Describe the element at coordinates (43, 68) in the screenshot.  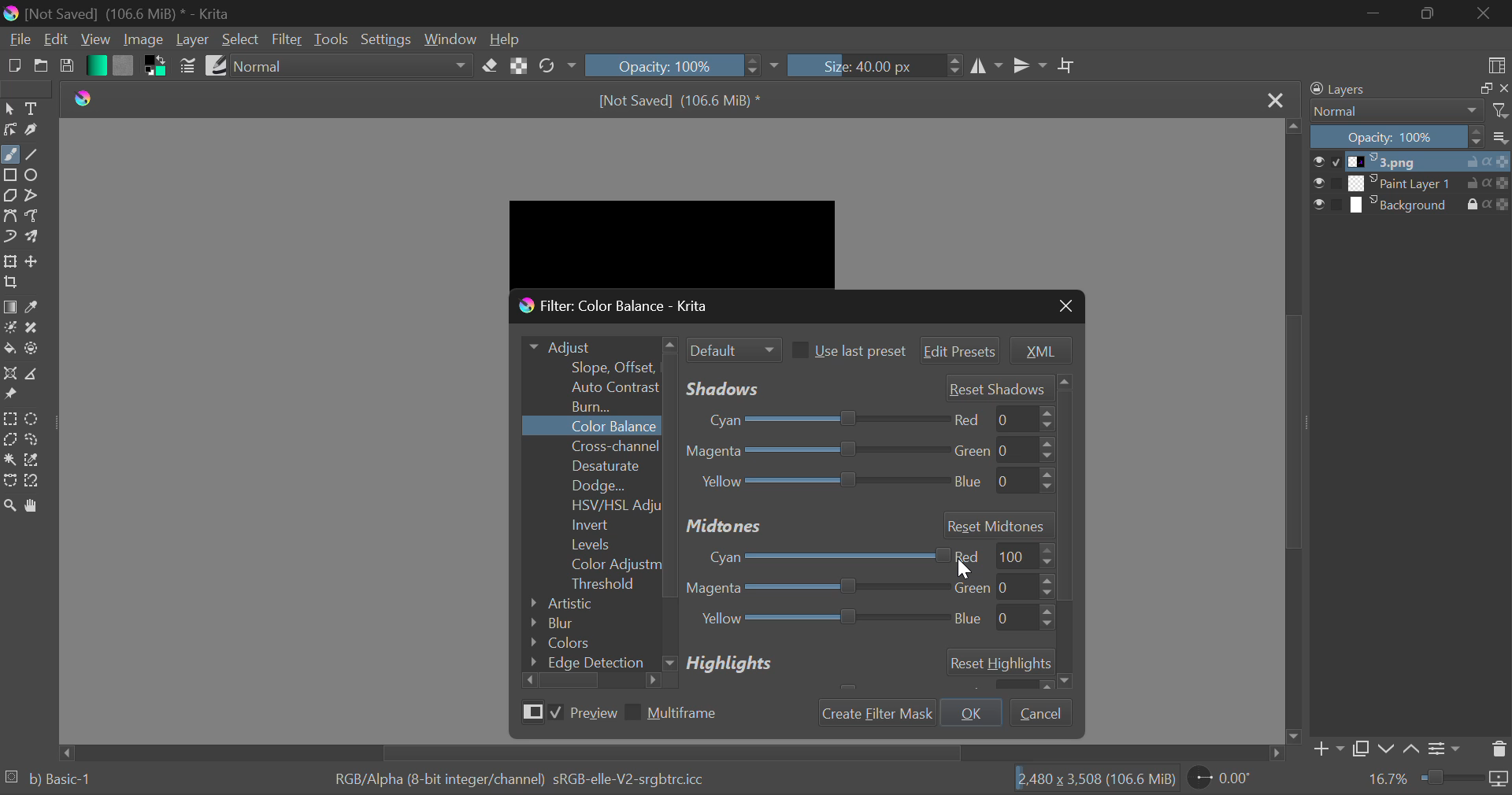
I see `Open` at that location.